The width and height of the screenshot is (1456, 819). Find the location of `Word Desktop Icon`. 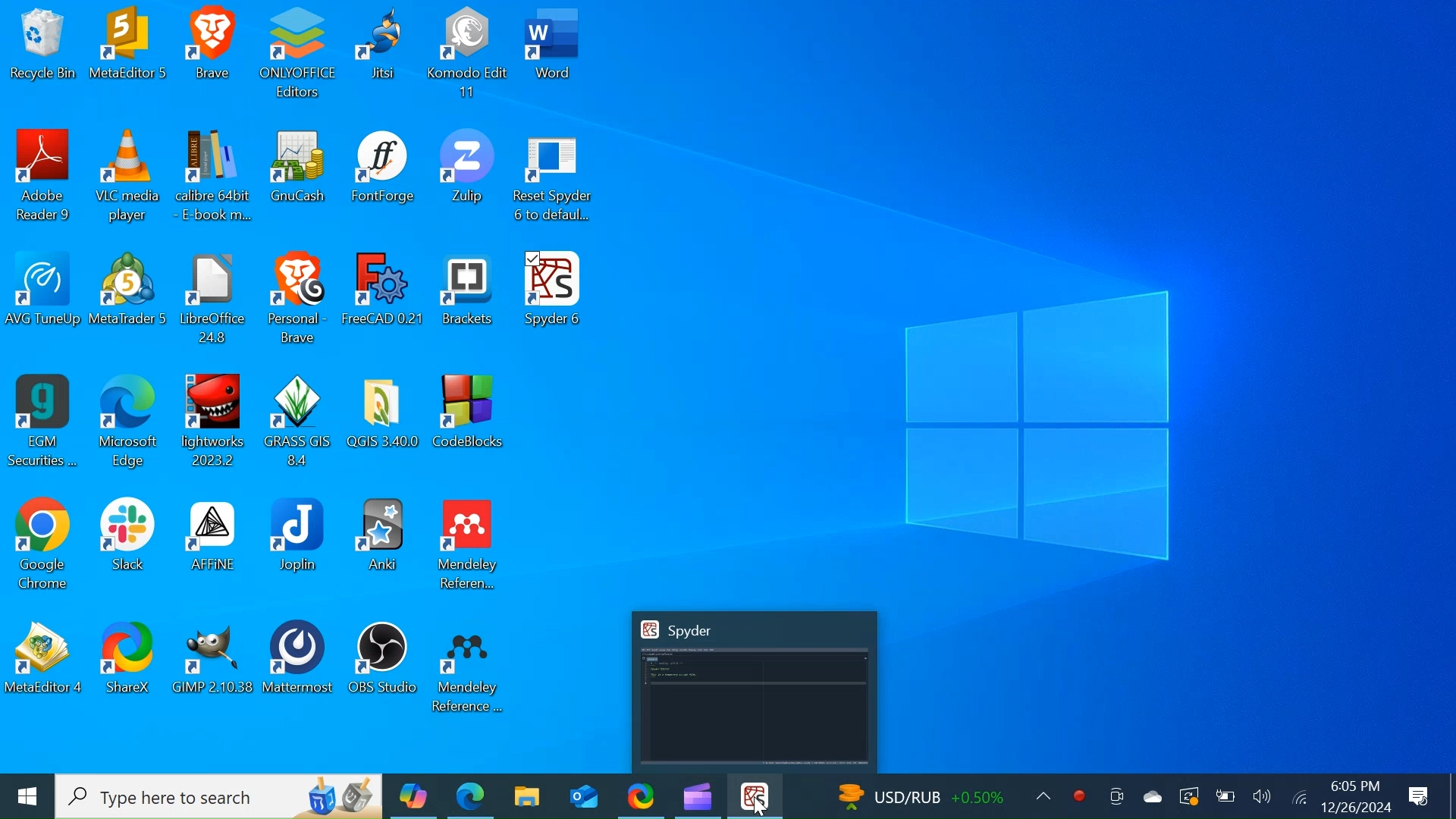

Word Desktop Icon is located at coordinates (554, 55).